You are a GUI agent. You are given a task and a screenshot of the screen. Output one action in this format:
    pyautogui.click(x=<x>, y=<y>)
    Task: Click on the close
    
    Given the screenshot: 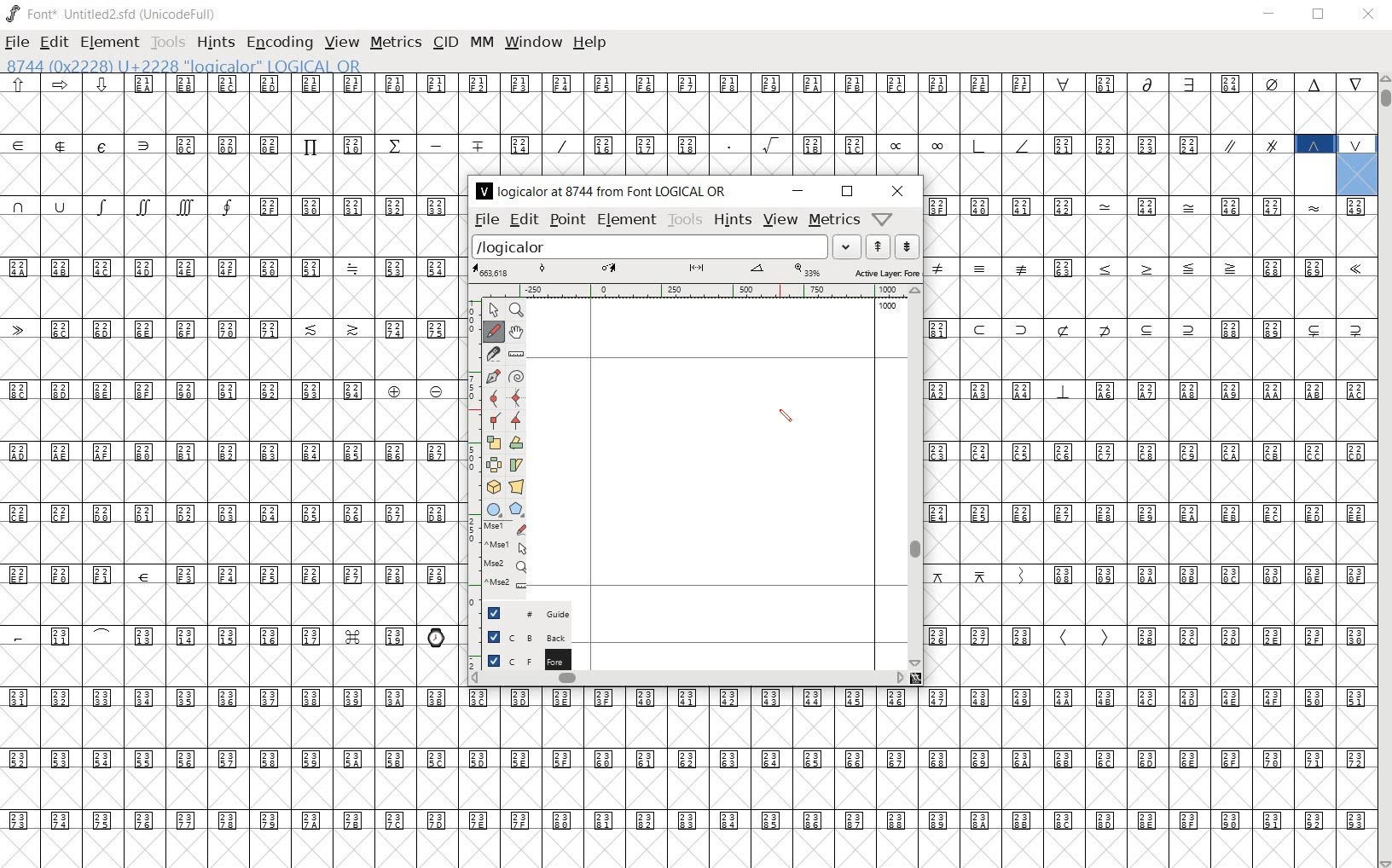 What is the action you would take?
    pyautogui.click(x=1368, y=14)
    